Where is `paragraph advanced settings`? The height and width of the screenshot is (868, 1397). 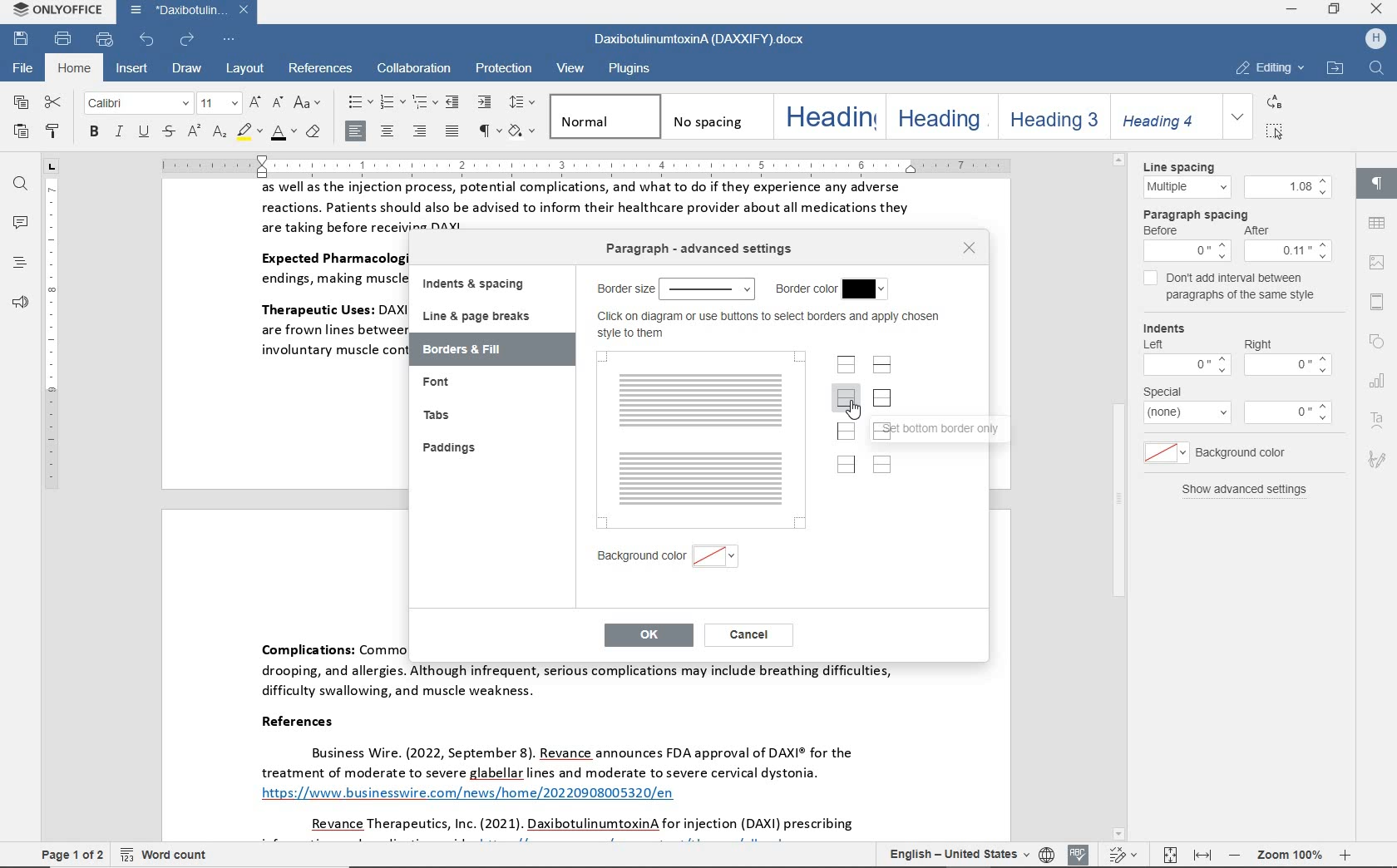
paragraph advanced settings is located at coordinates (696, 248).